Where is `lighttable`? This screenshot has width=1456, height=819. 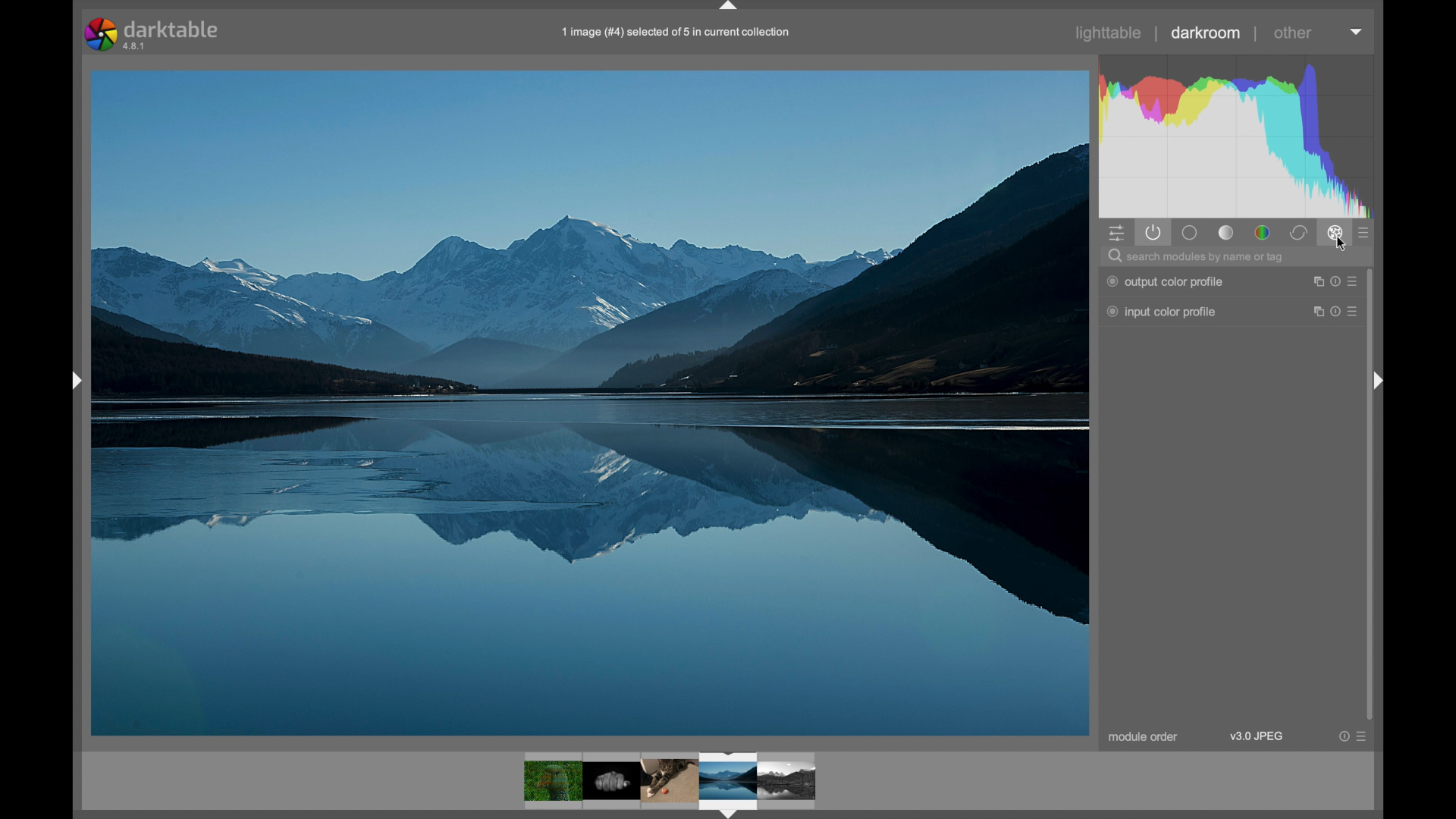 lighttable is located at coordinates (1110, 33).